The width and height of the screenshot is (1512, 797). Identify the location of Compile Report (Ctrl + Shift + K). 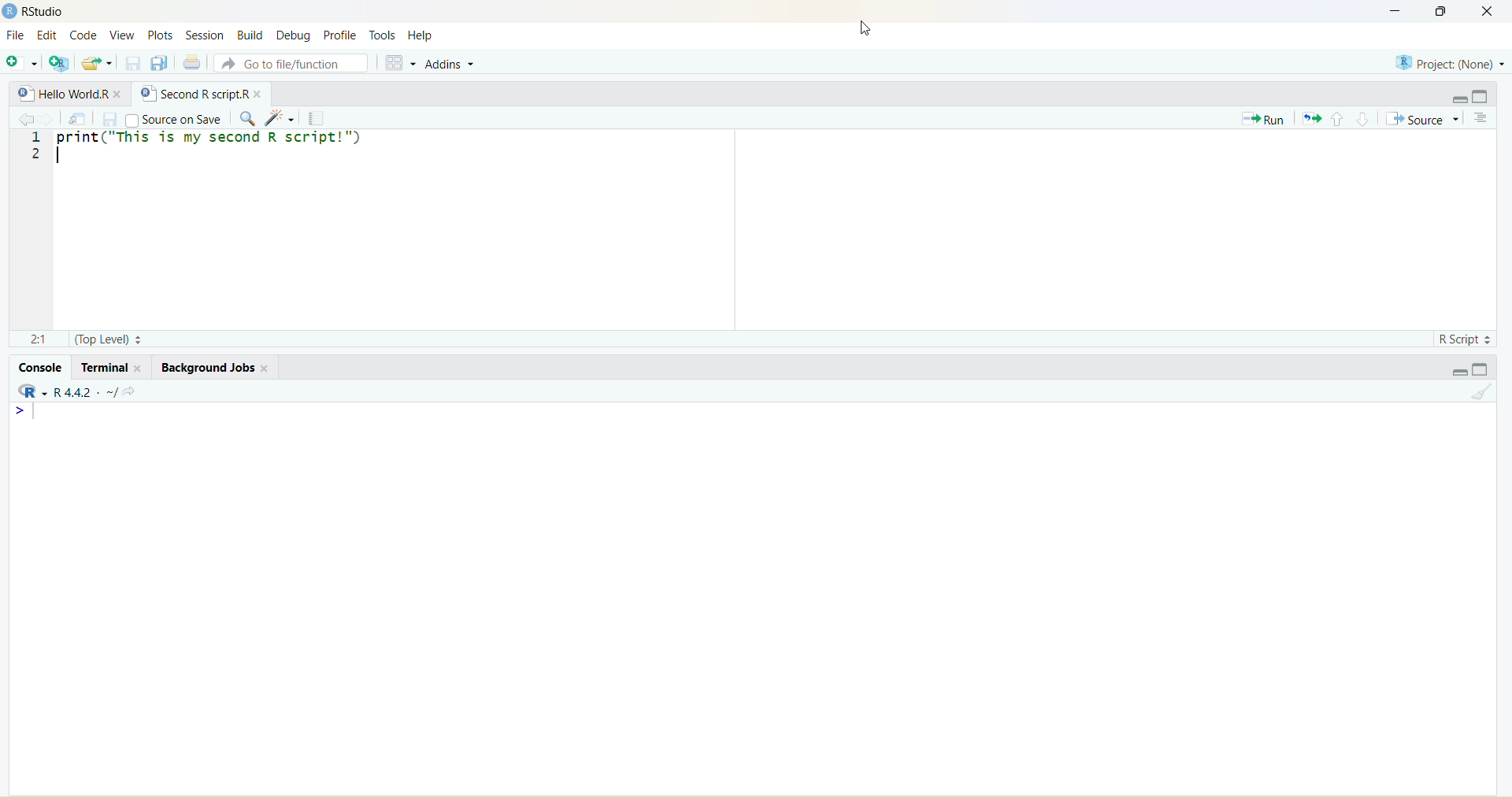
(317, 118).